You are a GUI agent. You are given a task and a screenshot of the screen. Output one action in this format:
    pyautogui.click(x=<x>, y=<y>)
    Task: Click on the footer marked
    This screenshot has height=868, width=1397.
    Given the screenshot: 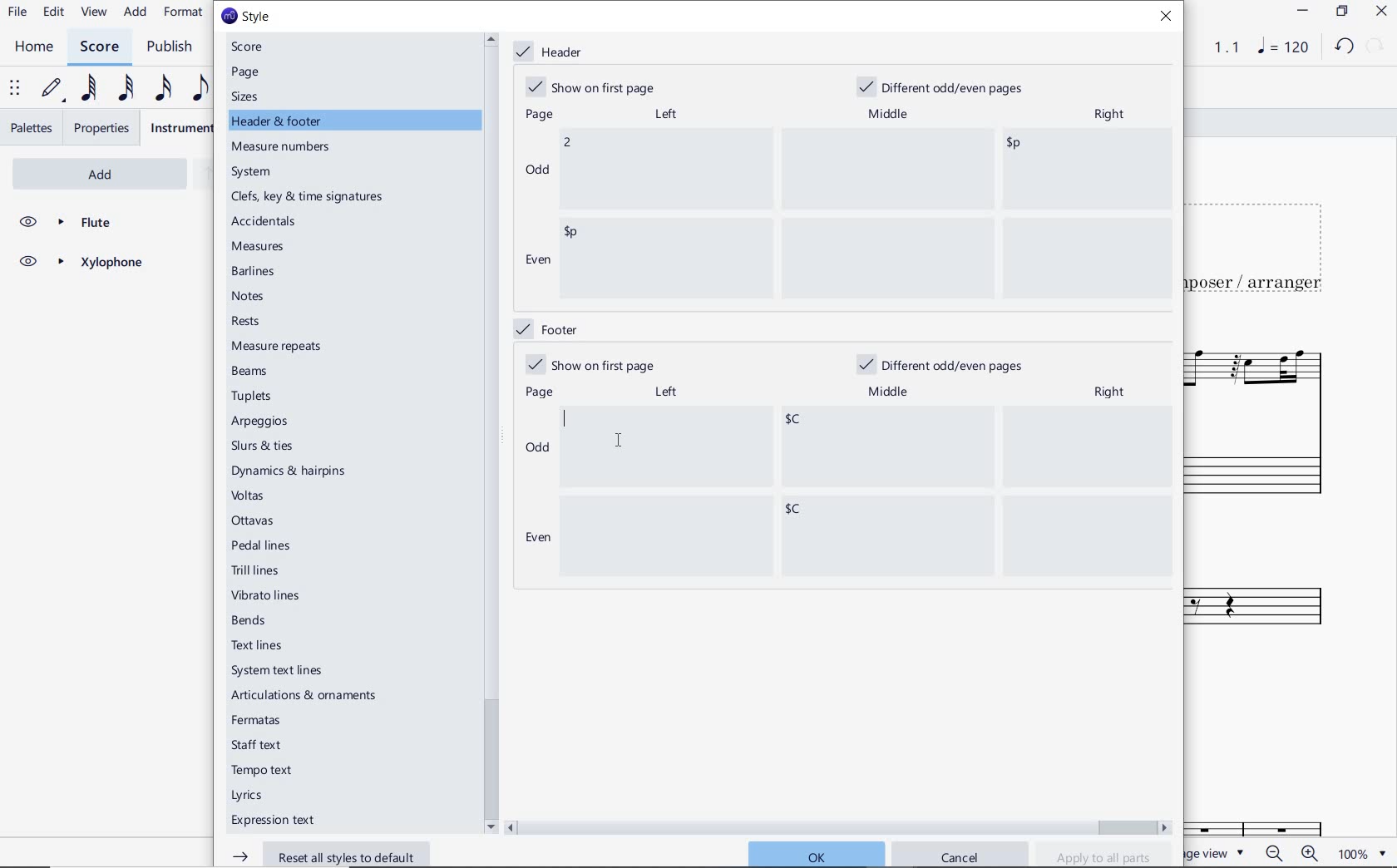 What is the action you would take?
    pyautogui.click(x=545, y=328)
    